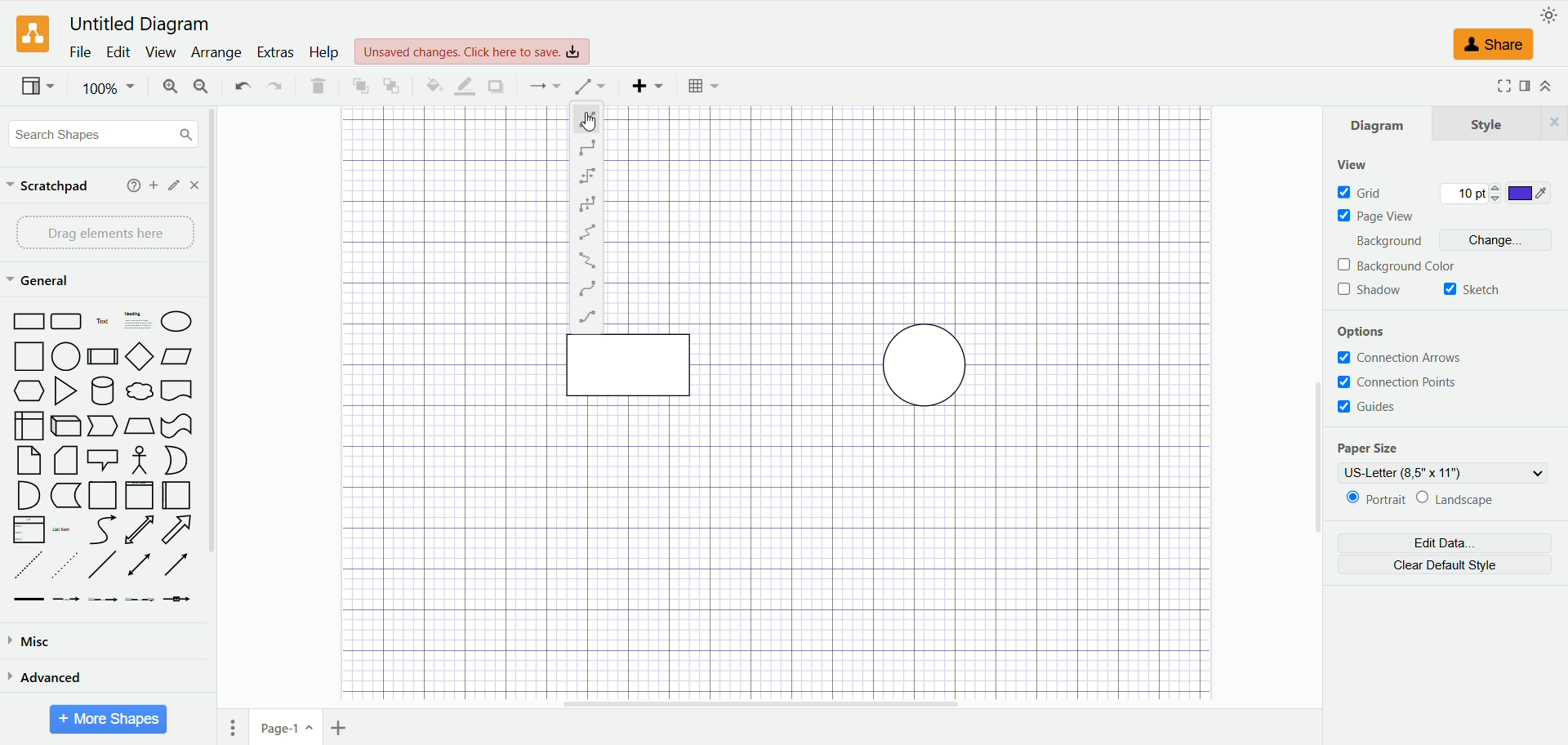 This screenshot has height=745, width=1568. I want to click on Text, so click(102, 321).